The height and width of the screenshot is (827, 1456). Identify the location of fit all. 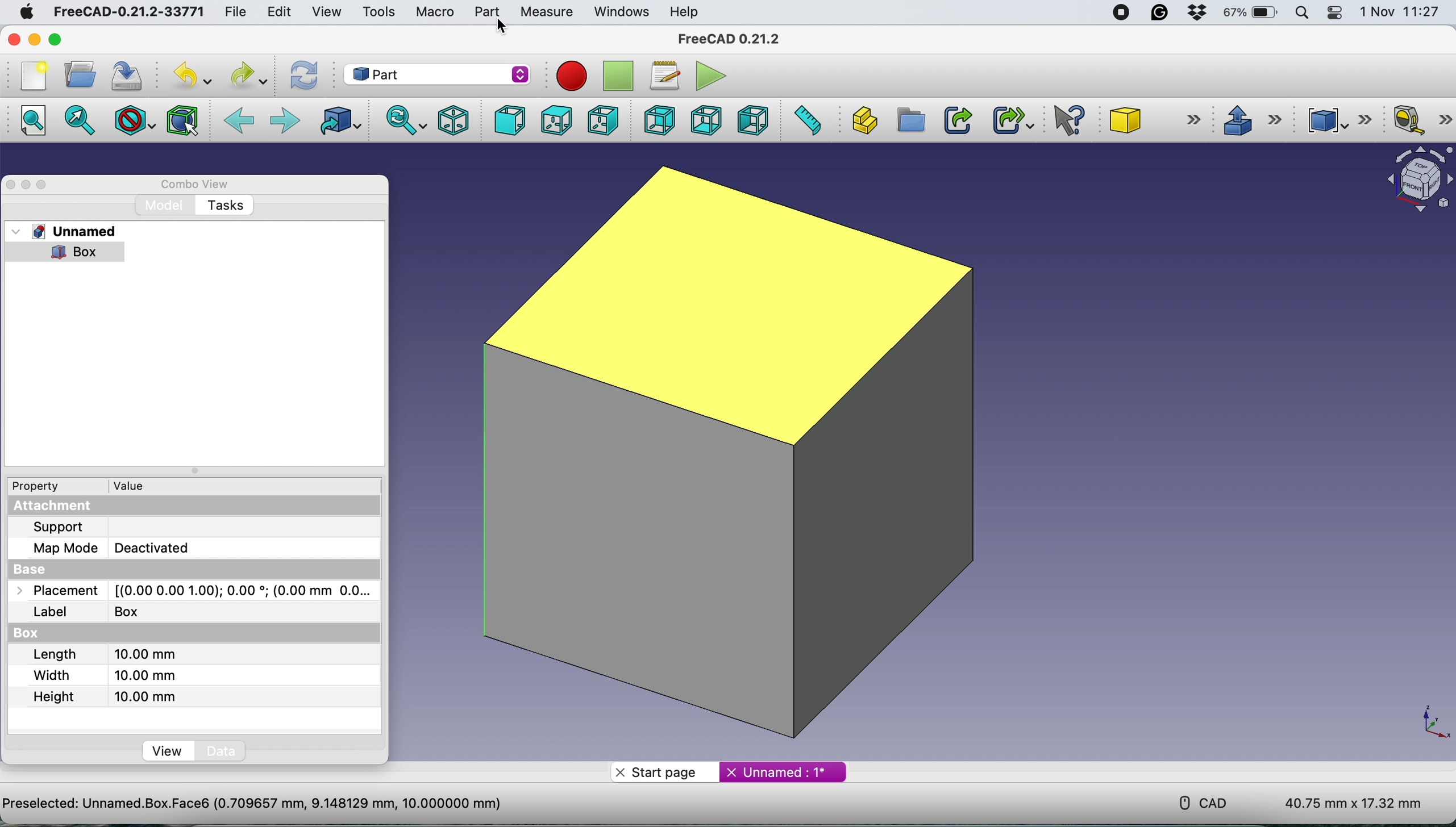
(36, 120).